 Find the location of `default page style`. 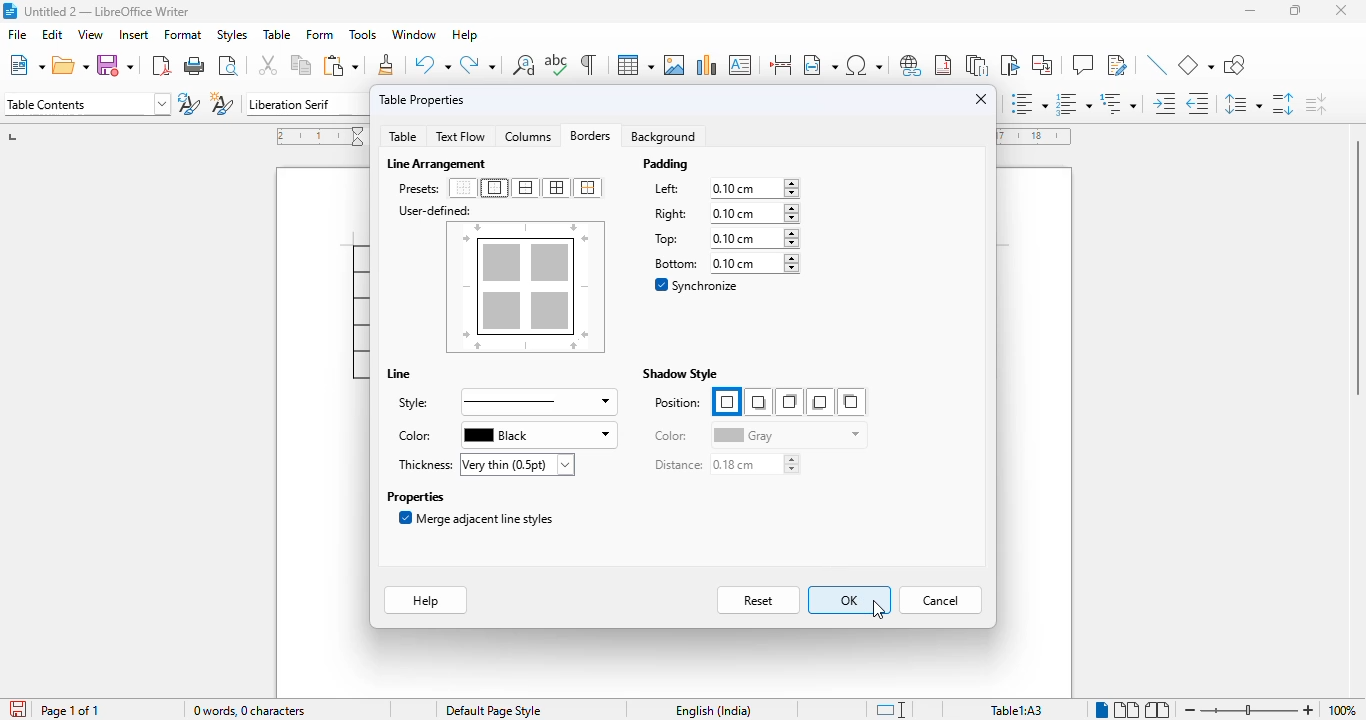

default page style is located at coordinates (494, 711).